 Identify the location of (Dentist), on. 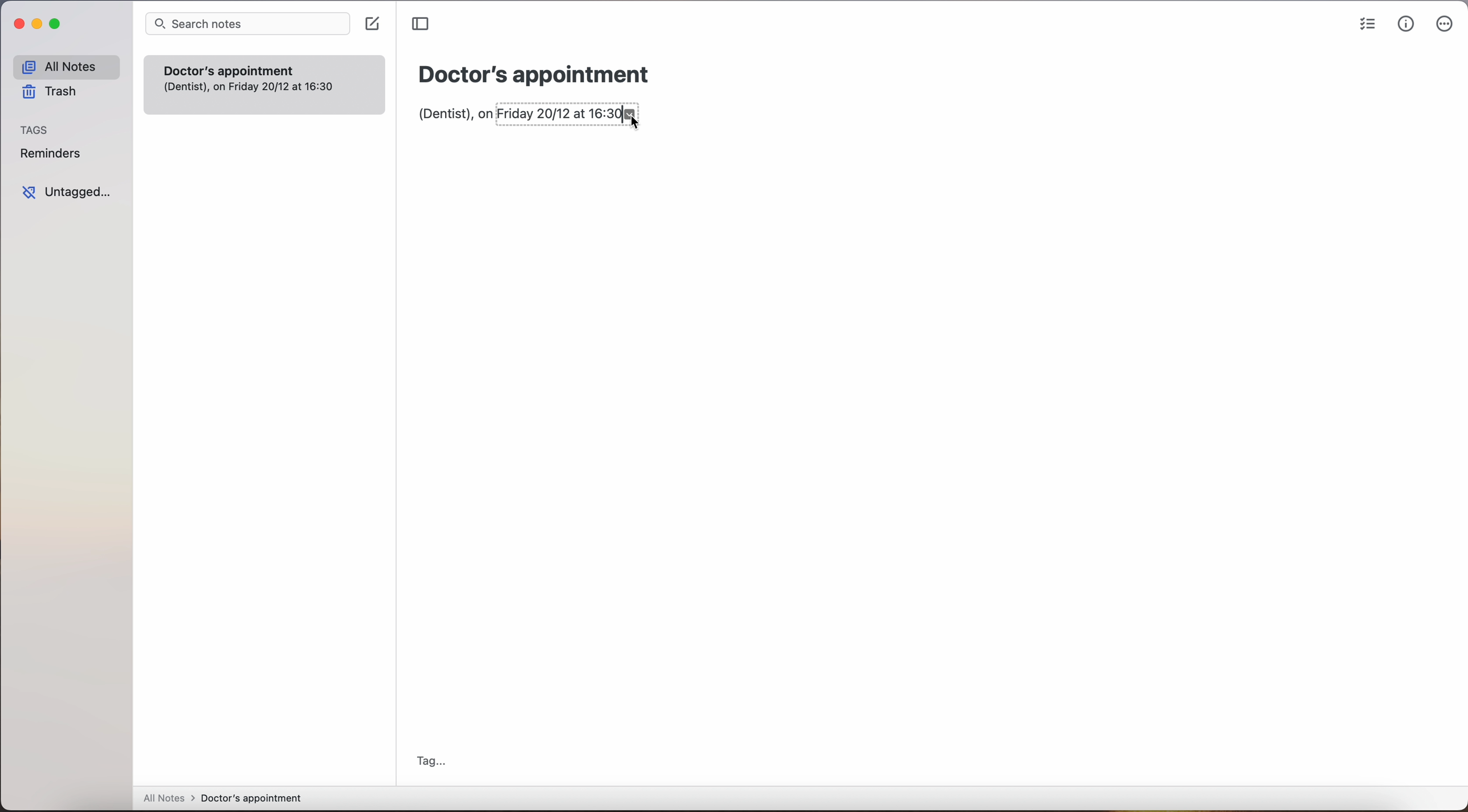
(447, 117).